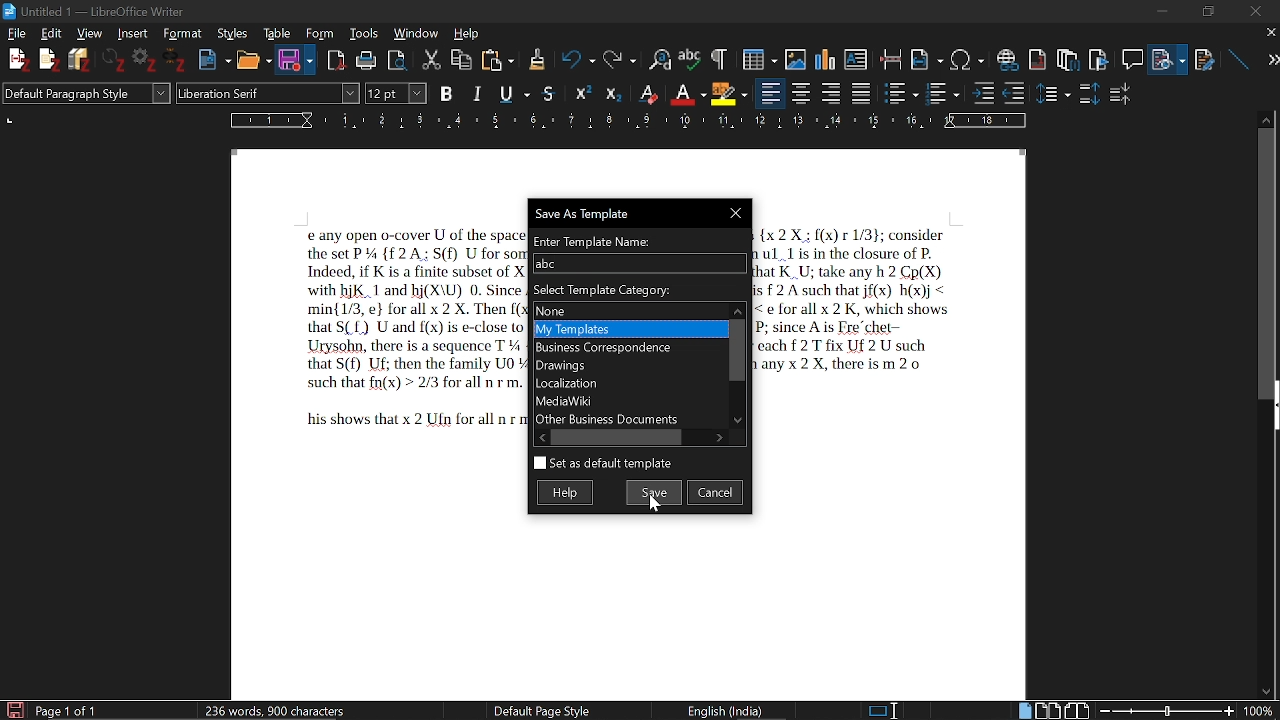 The width and height of the screenshot is (1280, 720). What do you see at coordinates (617, 58) in the screenshot?
I see `Redo` at bounding box center [617, 58].